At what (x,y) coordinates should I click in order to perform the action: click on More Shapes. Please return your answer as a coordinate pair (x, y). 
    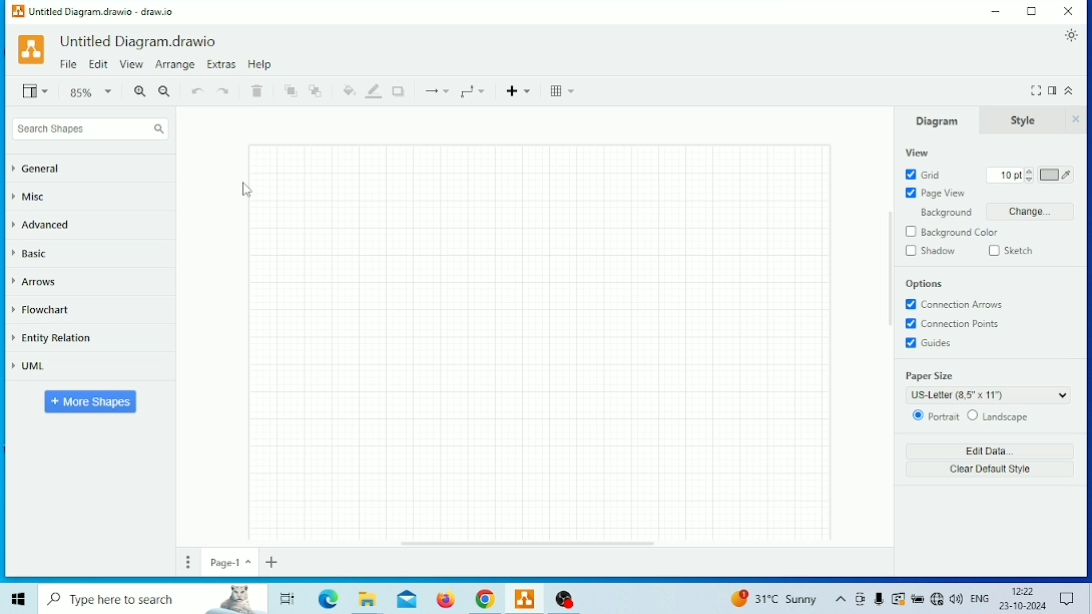
    Looking at the image, I should click on (92, 402).